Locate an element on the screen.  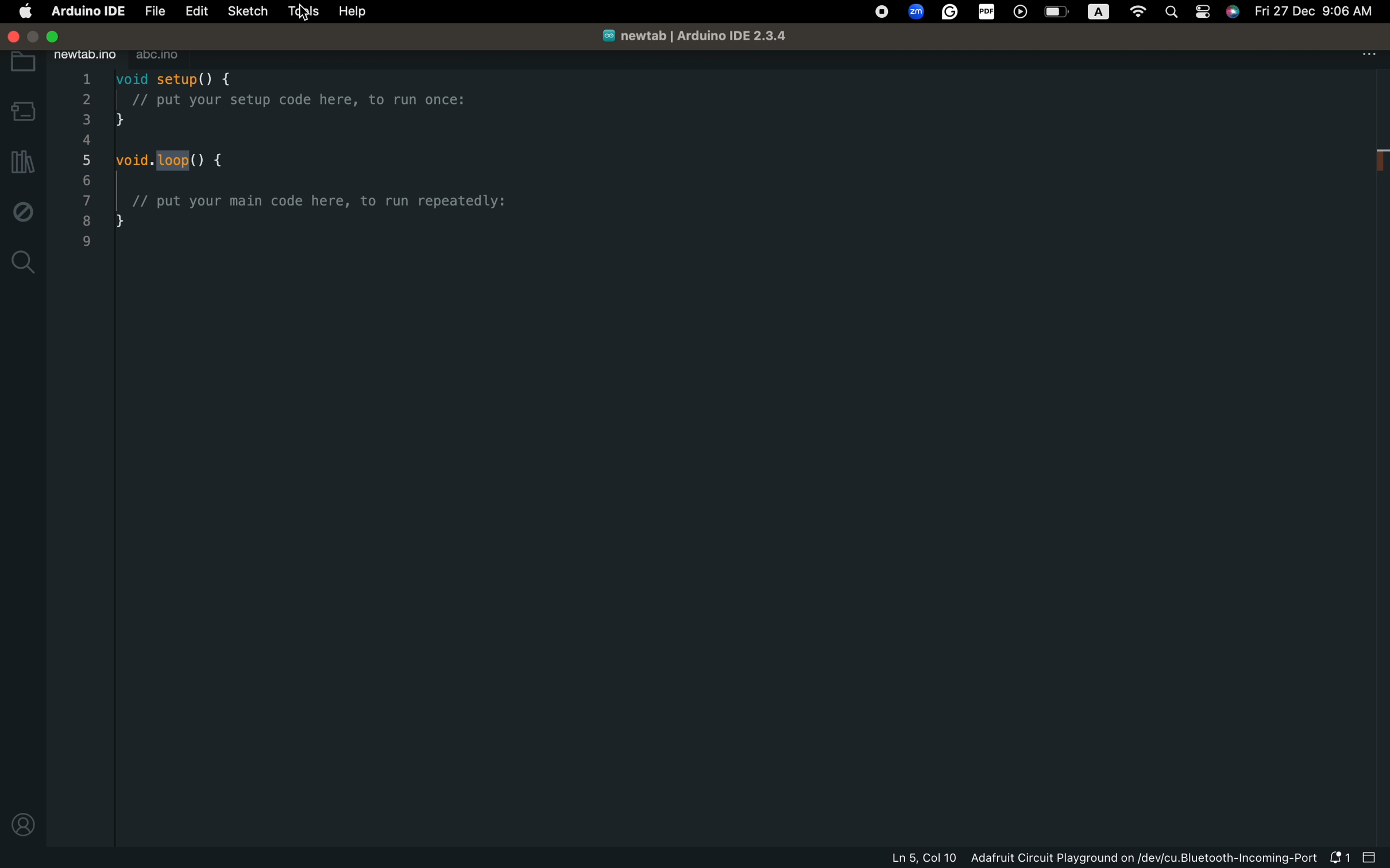
Search is located at coordinates (1172, 14).